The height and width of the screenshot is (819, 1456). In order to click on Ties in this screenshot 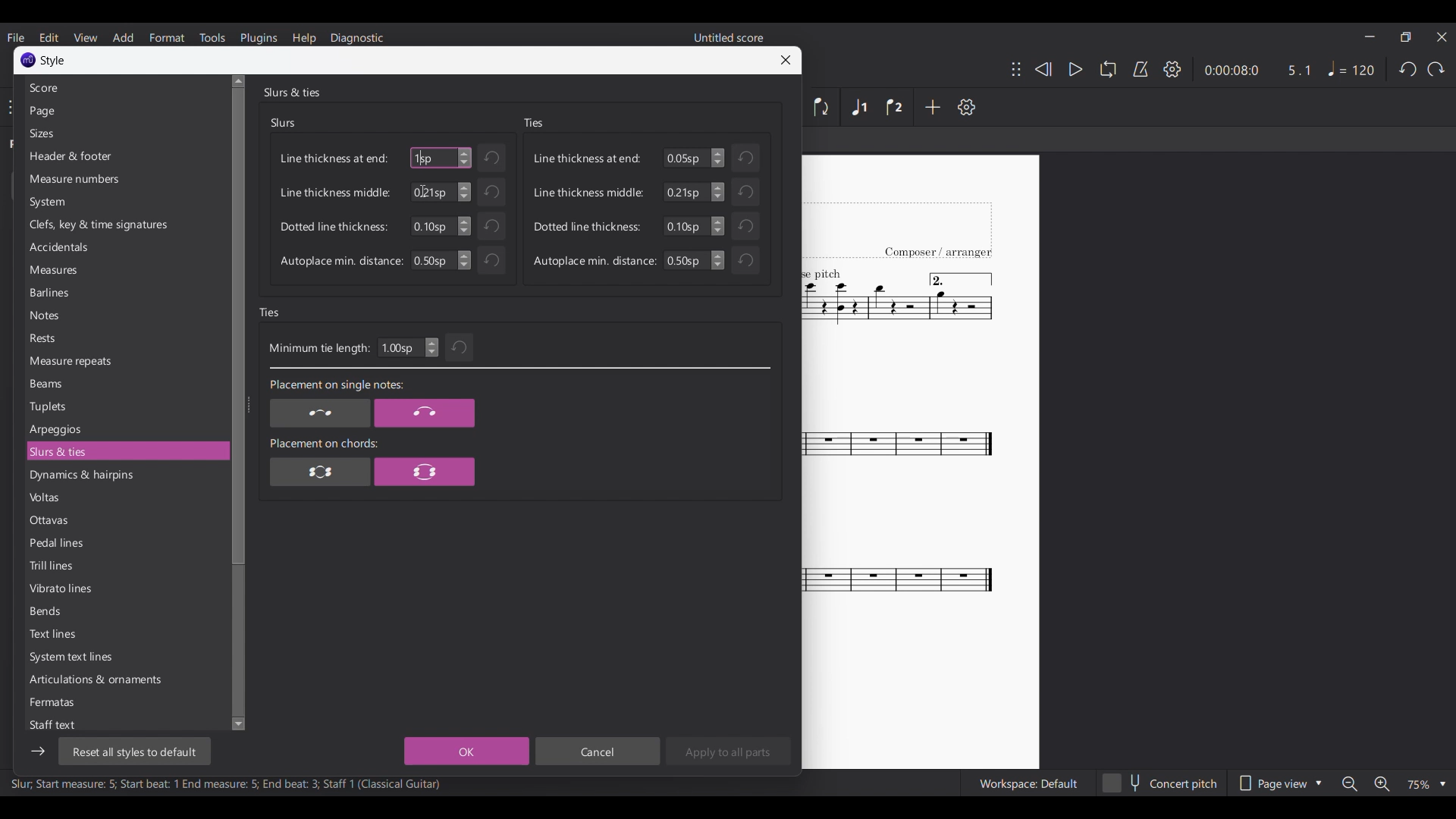, I will do `click(270, 312)`.